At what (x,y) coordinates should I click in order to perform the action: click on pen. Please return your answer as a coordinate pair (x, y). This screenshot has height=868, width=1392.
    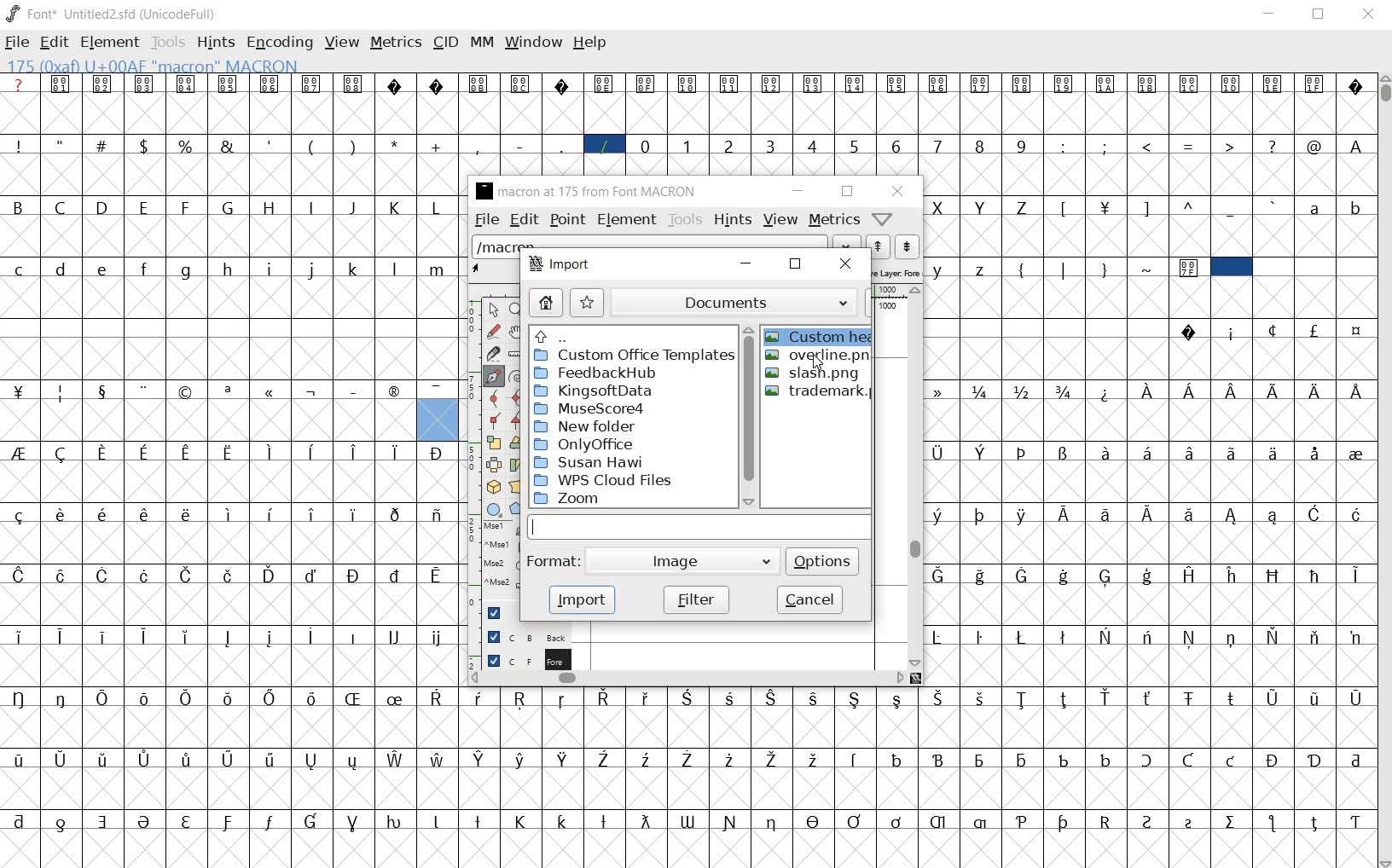
    Looking at the image, I should click on (492, 376).